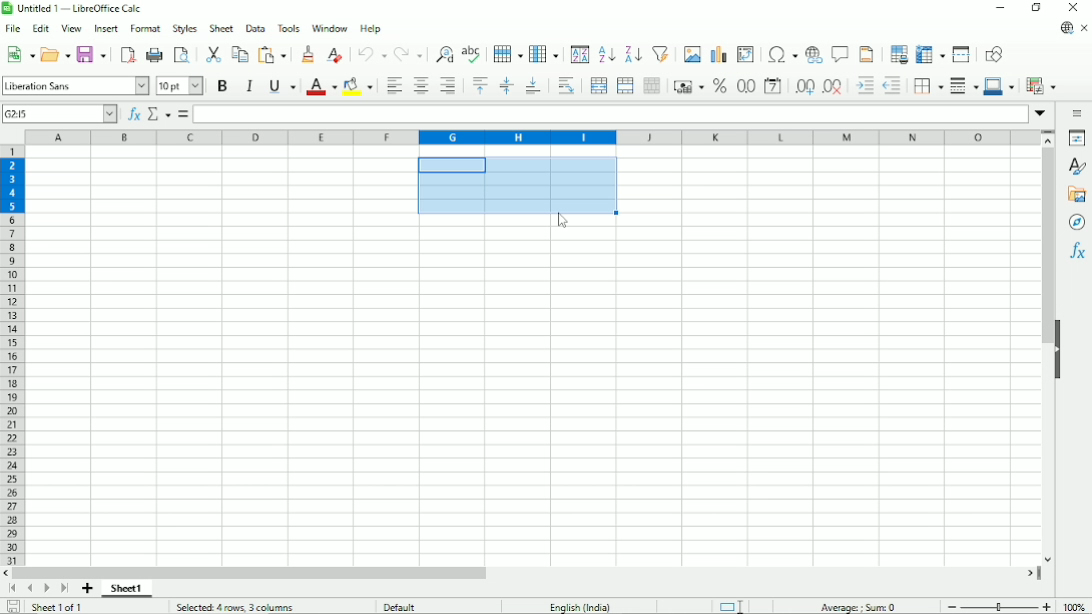 The width and height of the screenshot is (1092, 614). Describe the element at coordinates (471, 53) in the screenshot. I see `Spell check` at that location.